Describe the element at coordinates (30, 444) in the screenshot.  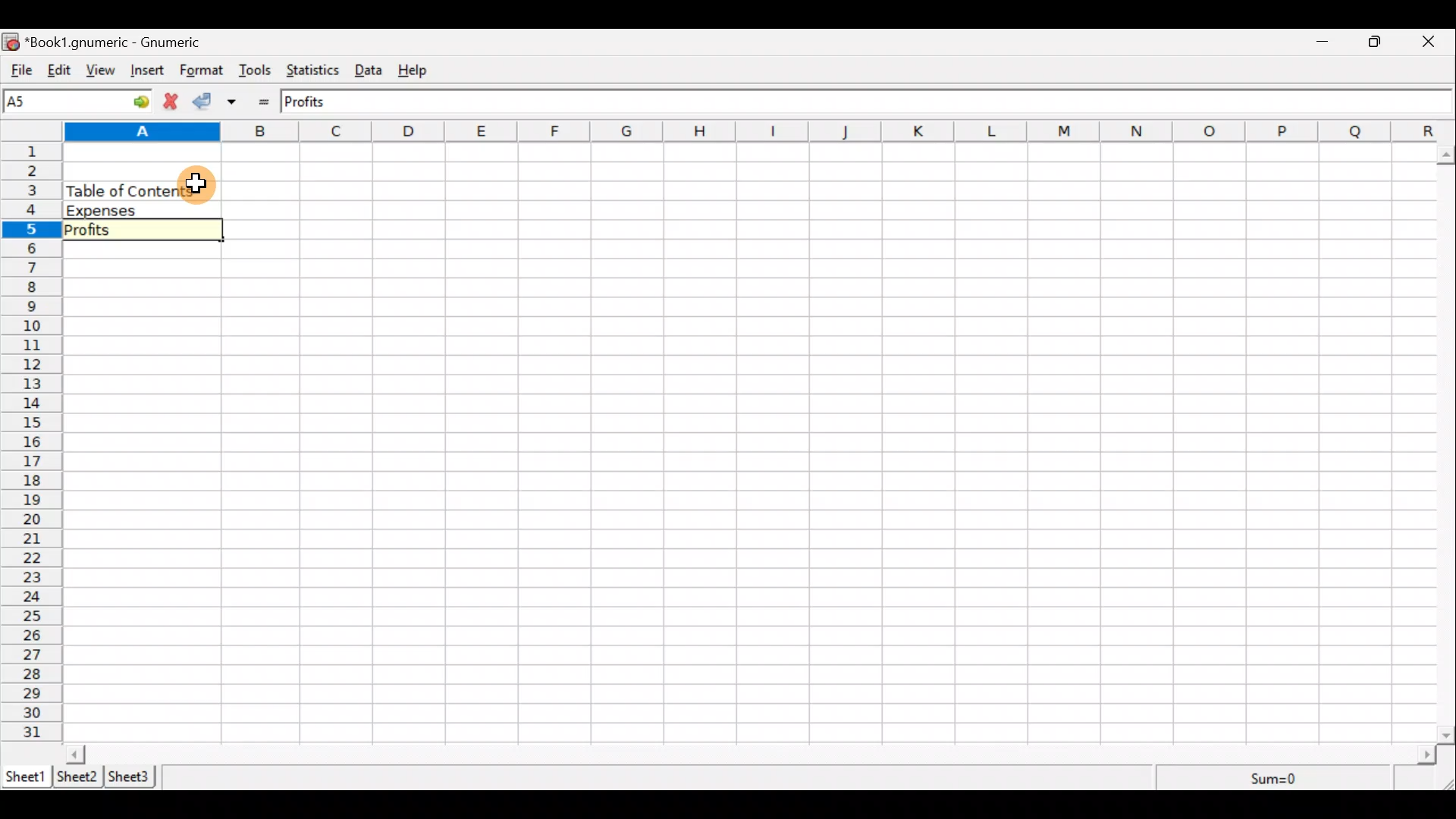
I see `numbering column` at that location.